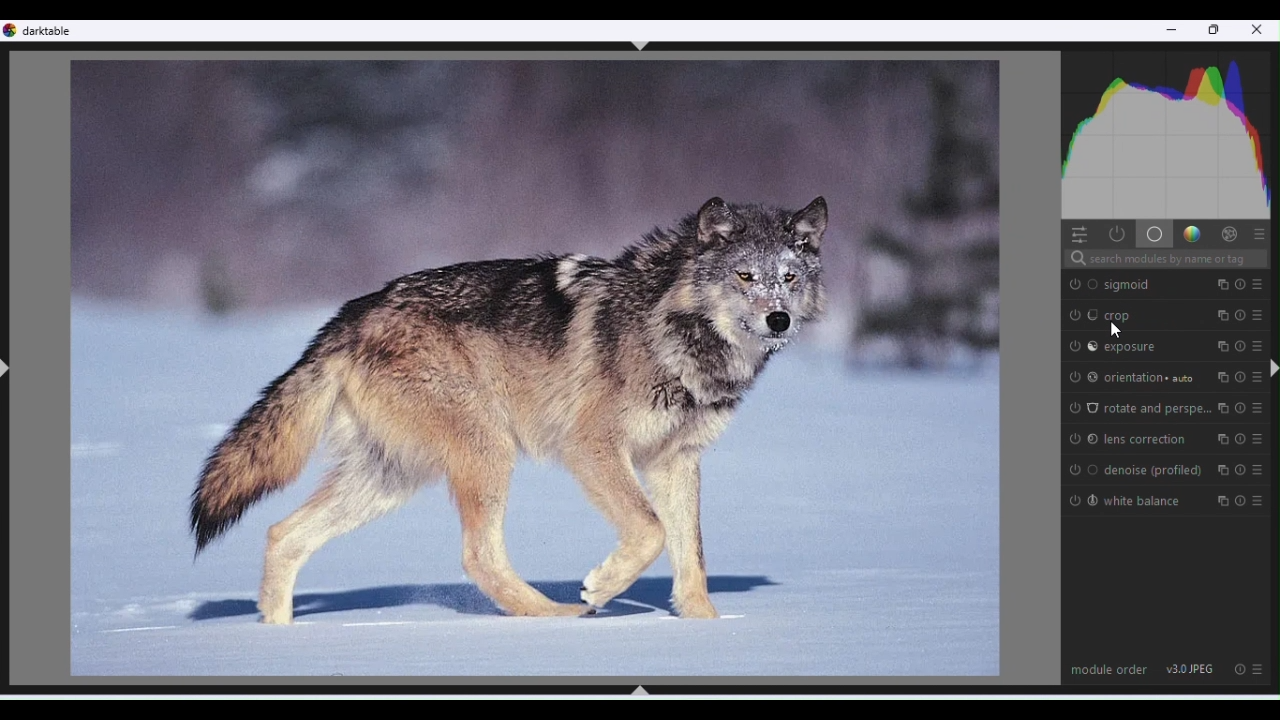  Describe the element at coordinates (1229, 233) in the screenshot. I see `Effects` at that location.